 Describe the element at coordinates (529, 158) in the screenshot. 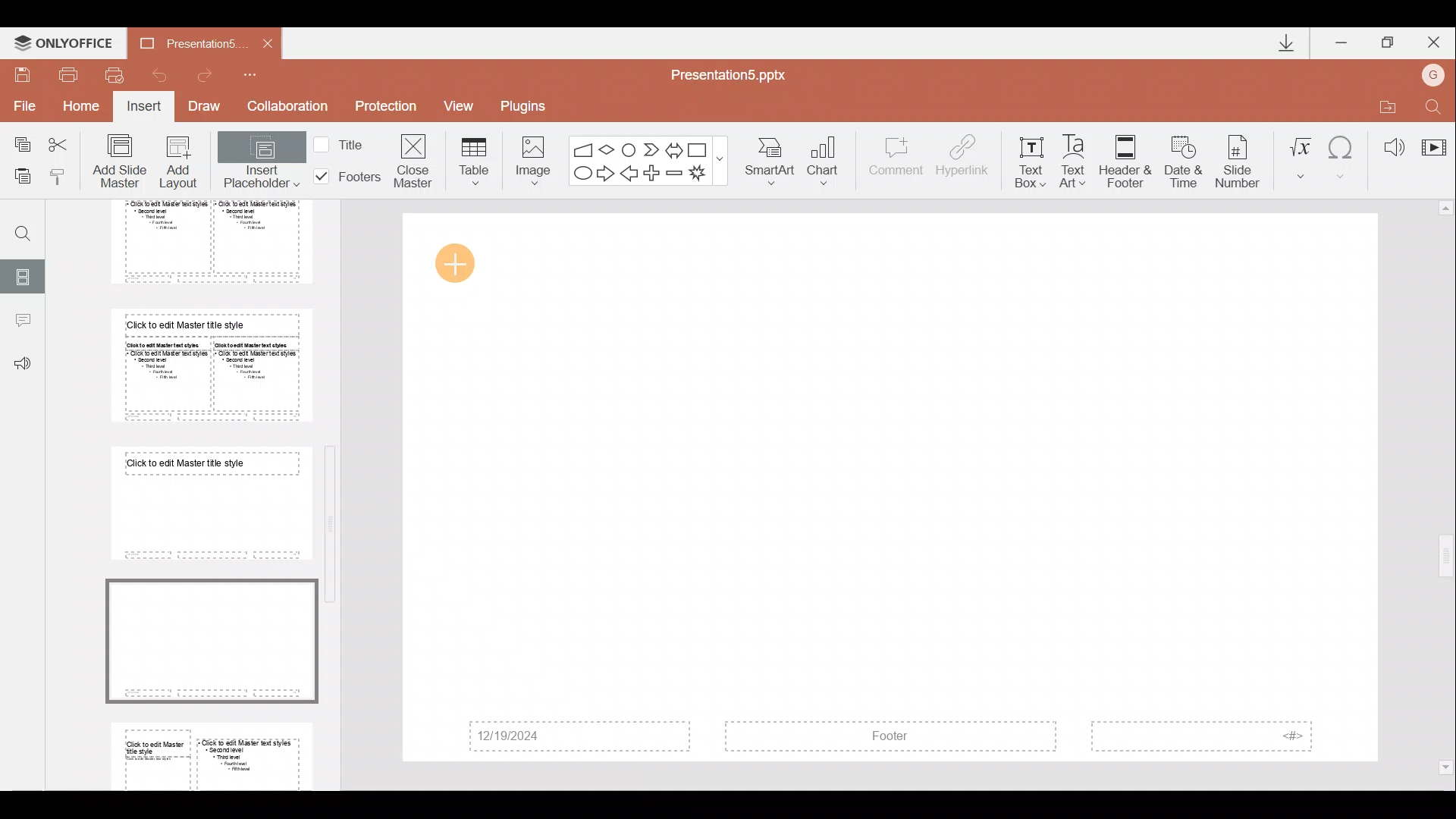

I see `Image` at that location.